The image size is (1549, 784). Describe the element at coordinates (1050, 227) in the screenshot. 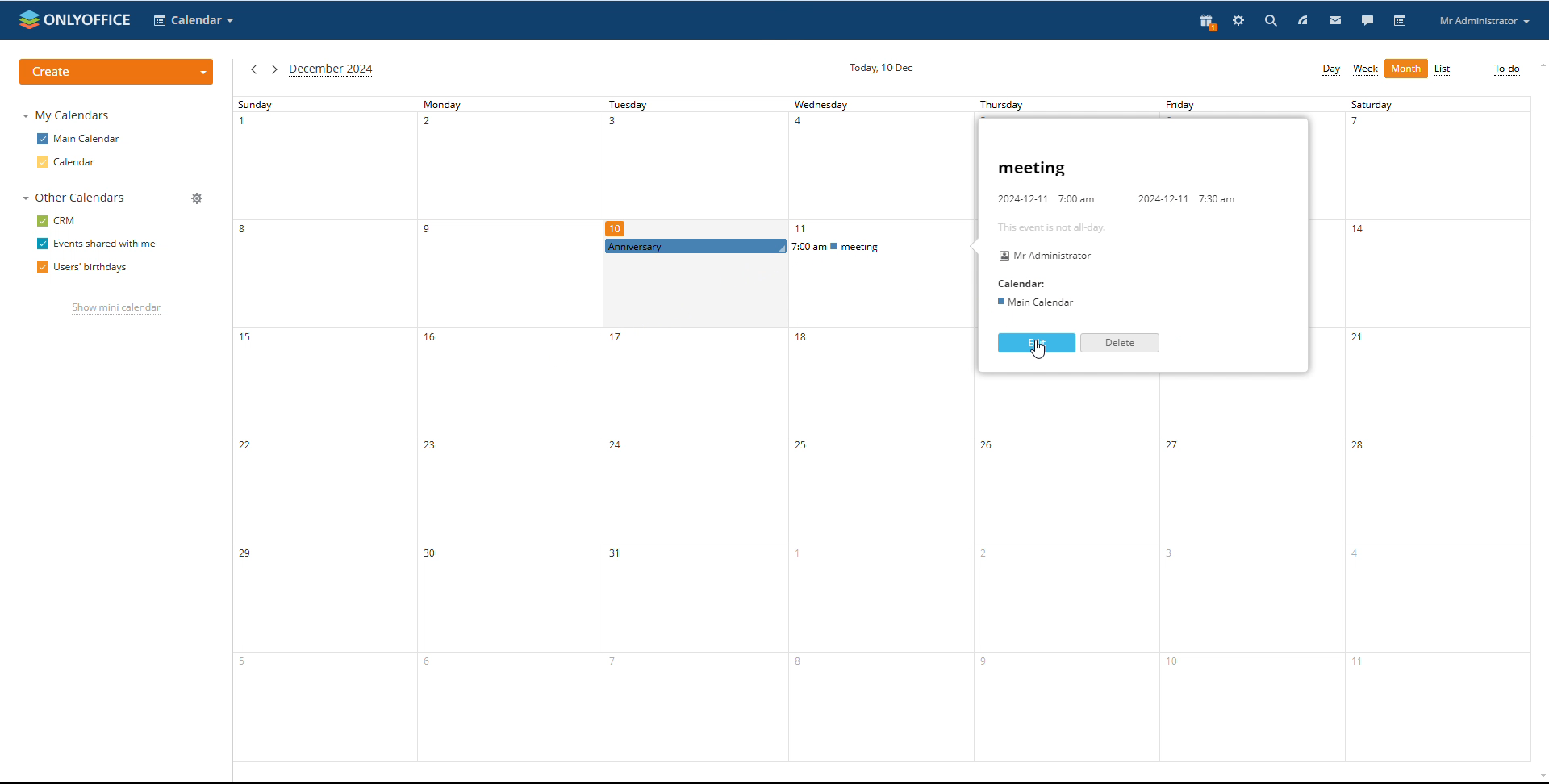

I see `this event is not all day` at that location.